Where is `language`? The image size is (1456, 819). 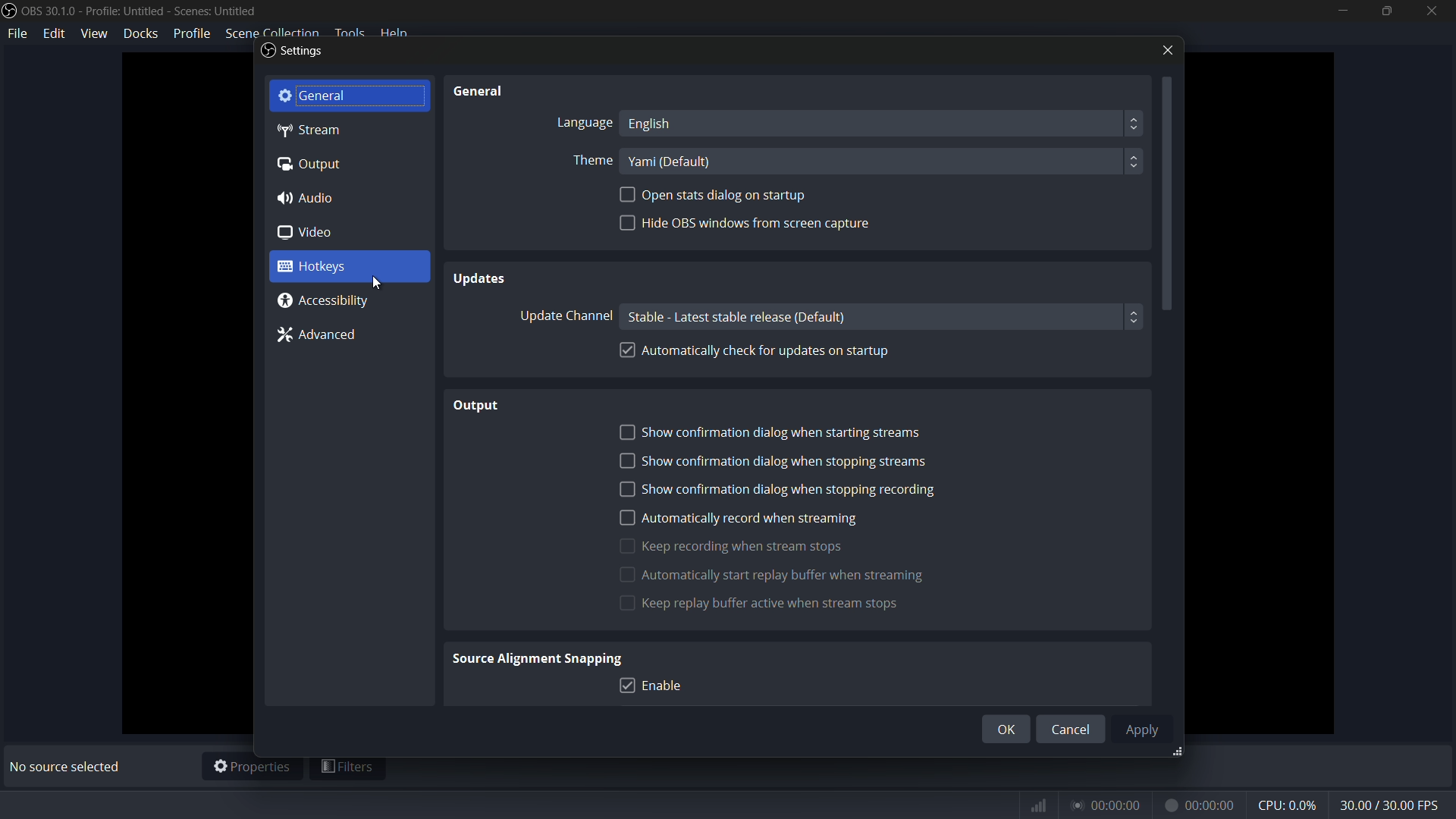
language is located at coordinates (649, 125).